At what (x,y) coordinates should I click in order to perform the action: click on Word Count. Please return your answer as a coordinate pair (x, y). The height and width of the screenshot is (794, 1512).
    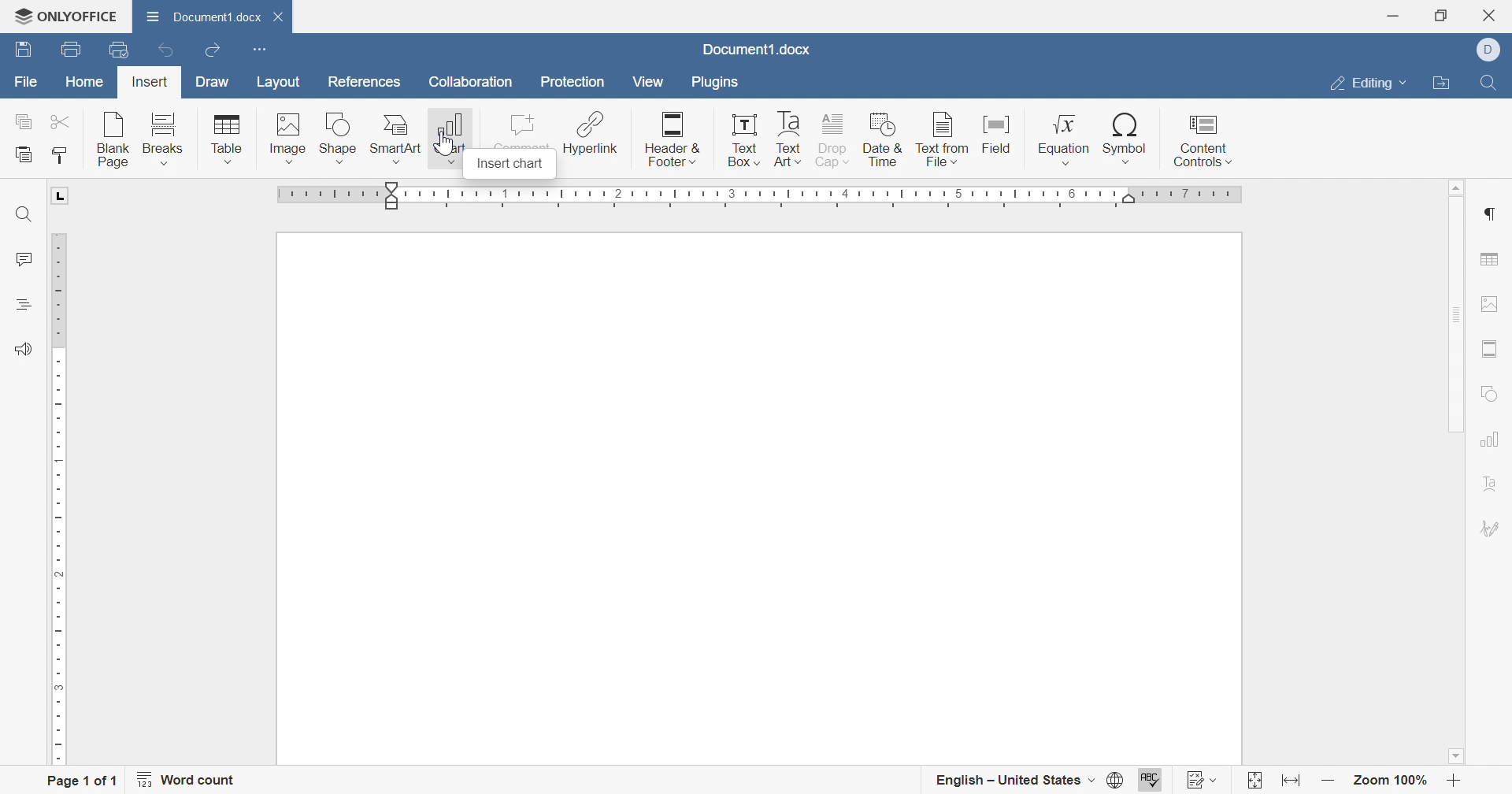
    Looking at the image, I should click on (189, 779).